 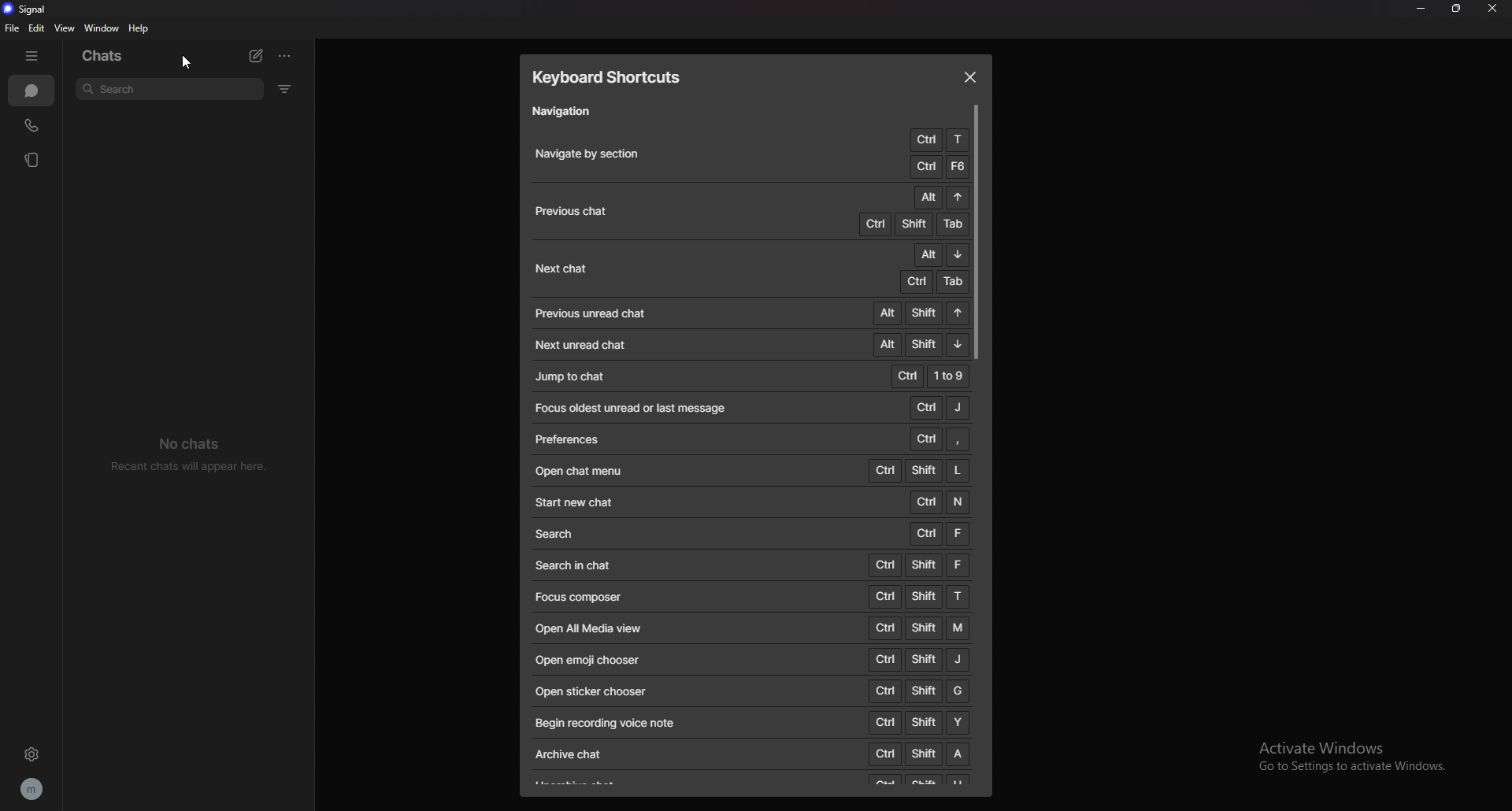 I want to click on stories, so click(x=31, y=160).